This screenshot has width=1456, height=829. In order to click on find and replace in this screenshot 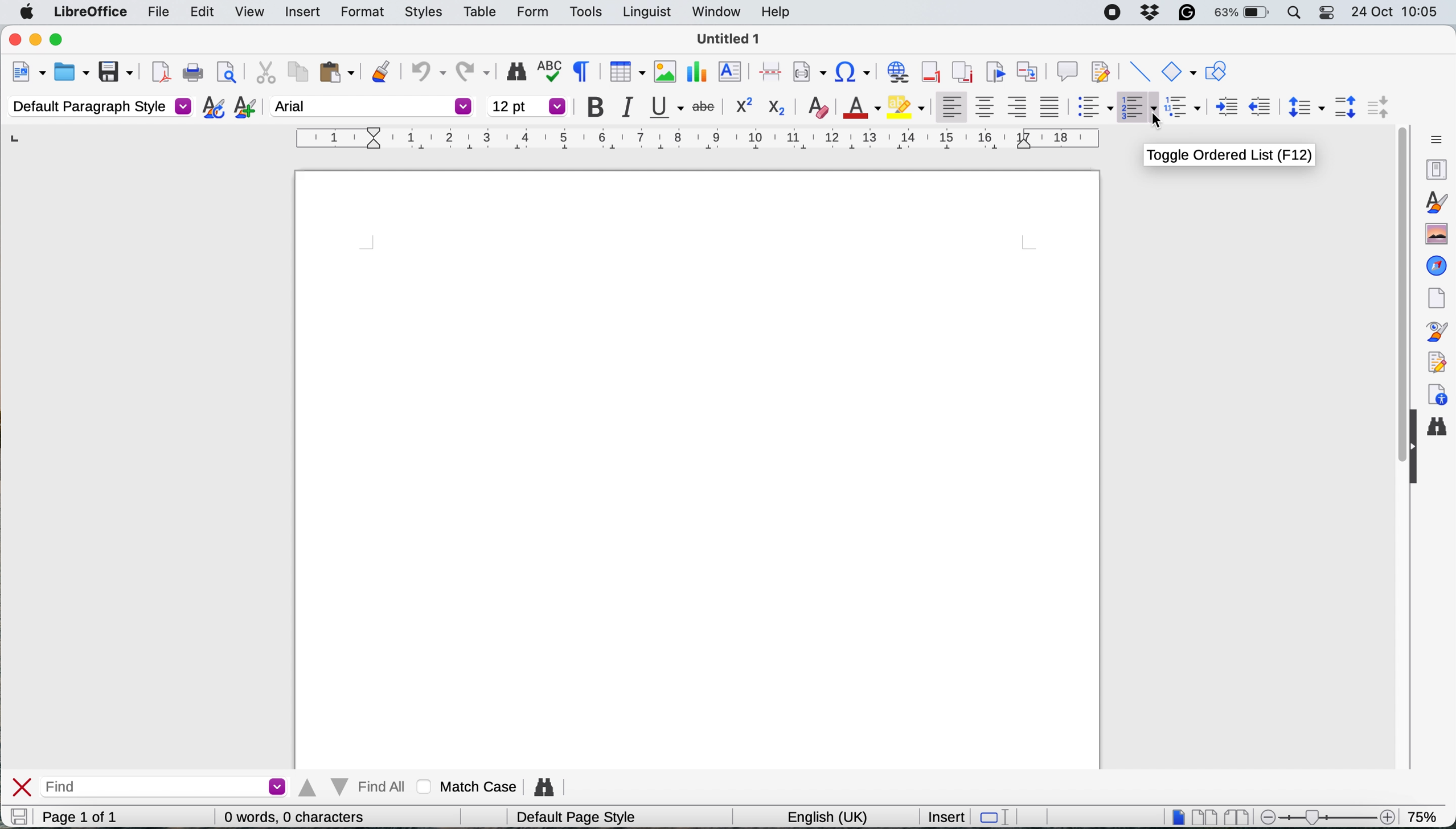, I will do `click(548, 784)`.